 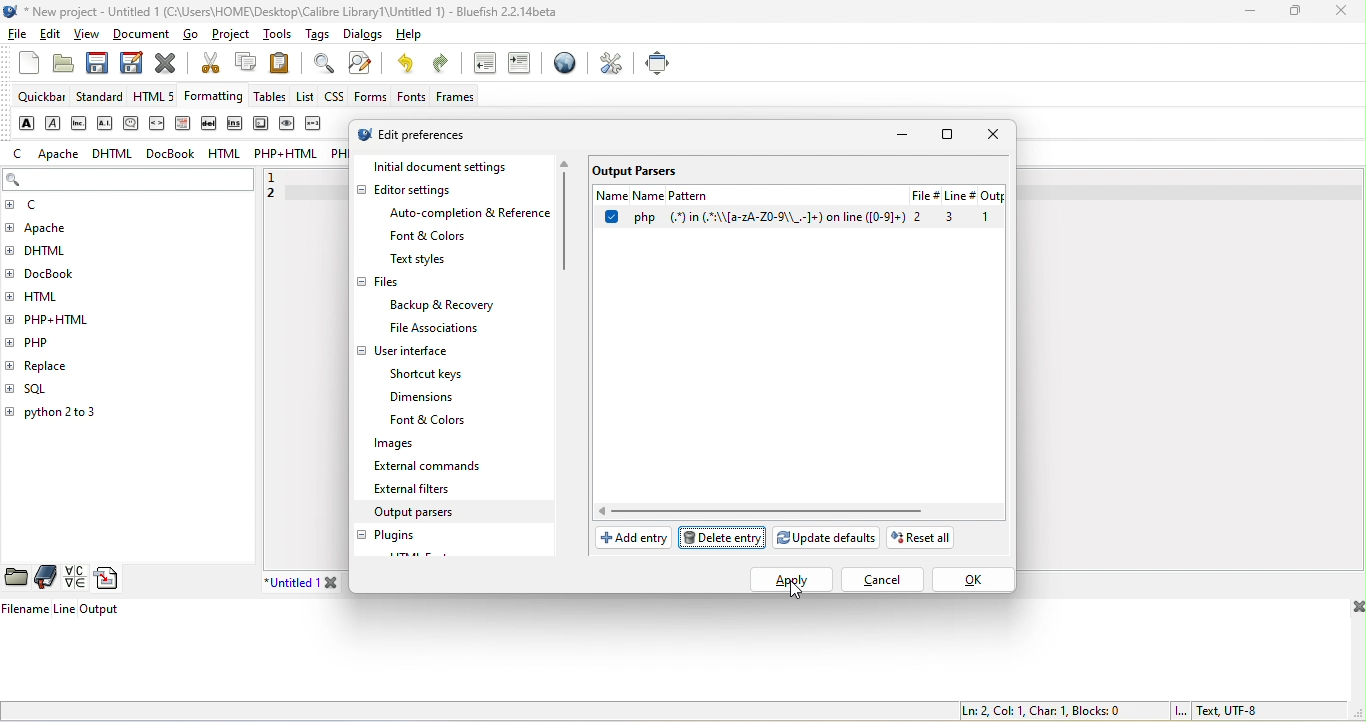 I want to click on close, so click(x=166, y=62).